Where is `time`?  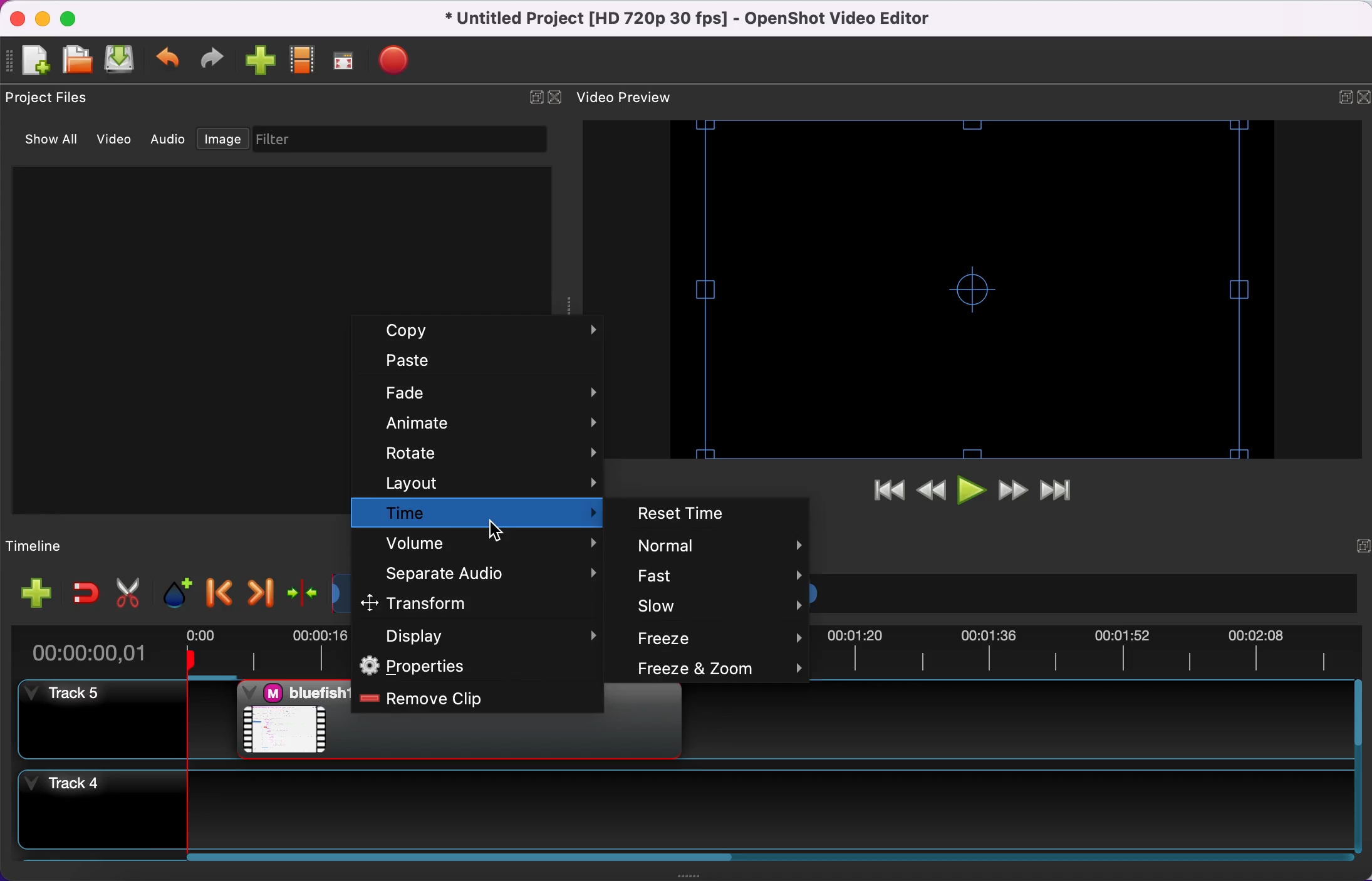
time is located at coordinates (475, 513).